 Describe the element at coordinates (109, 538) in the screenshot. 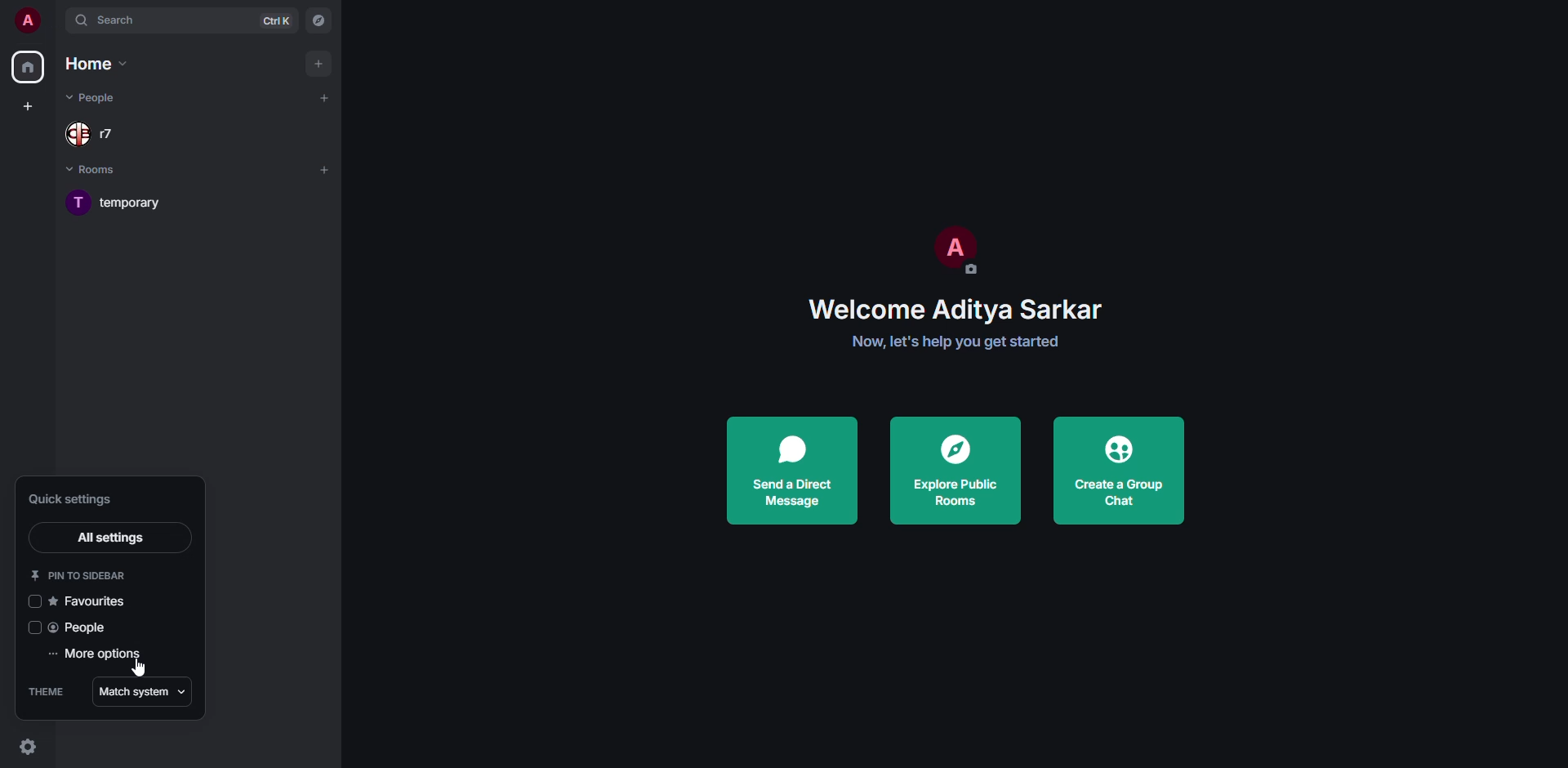

I see `all settings` at that location.